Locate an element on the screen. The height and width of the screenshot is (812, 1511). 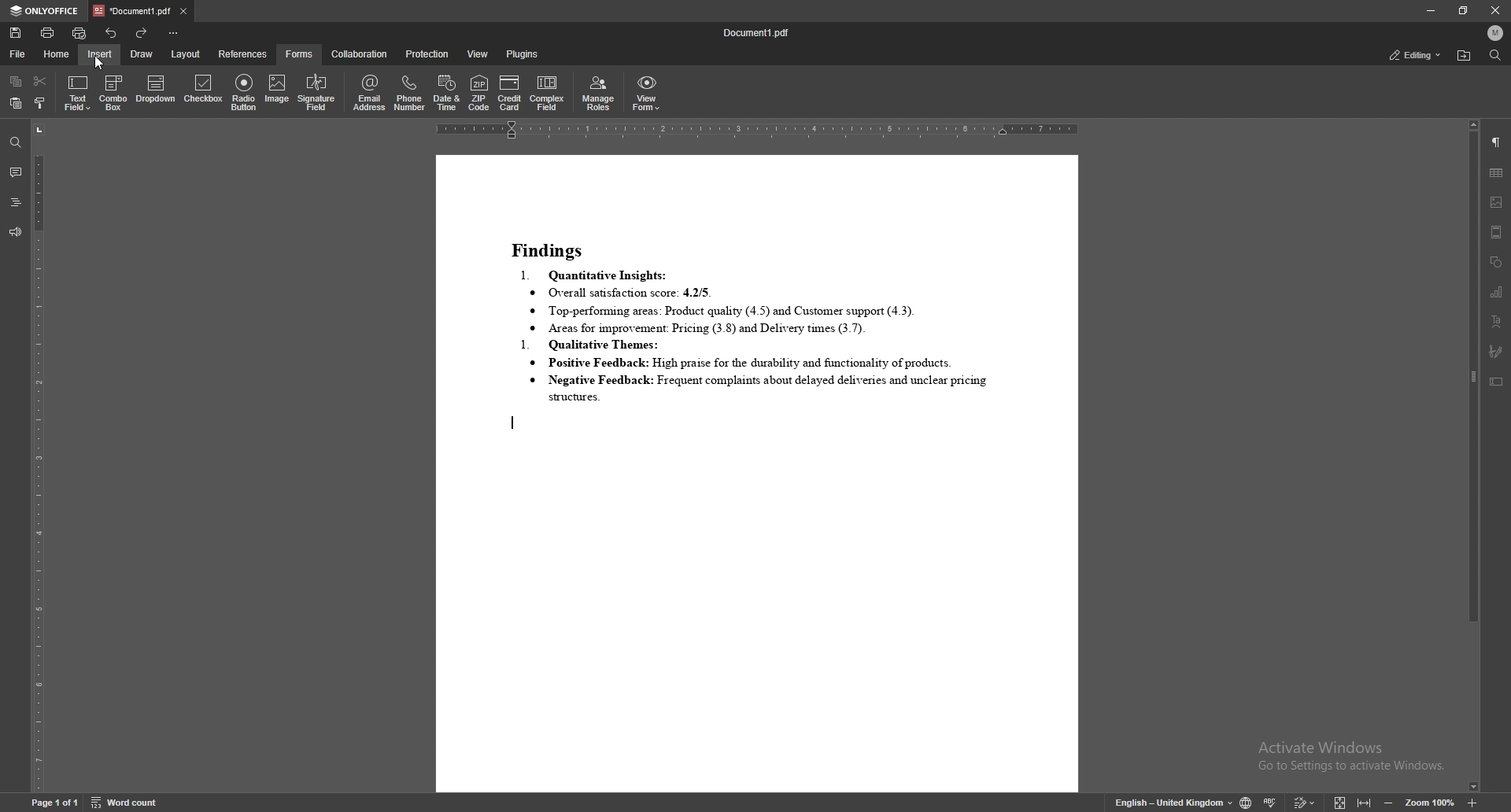
resize is located at coordinates (1465, 11).